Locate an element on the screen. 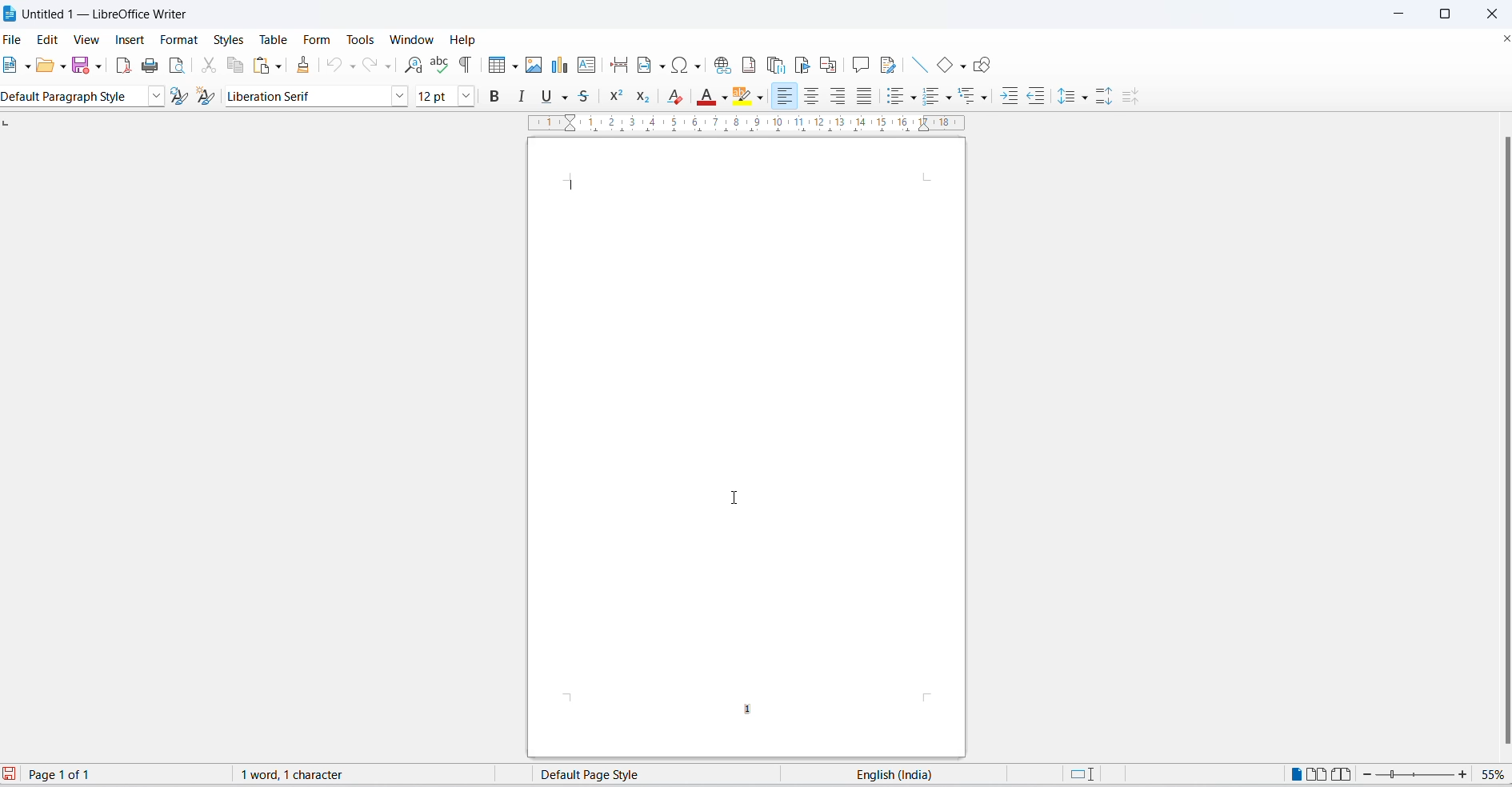  libreoffice logo is located at coordinates (10, 14).